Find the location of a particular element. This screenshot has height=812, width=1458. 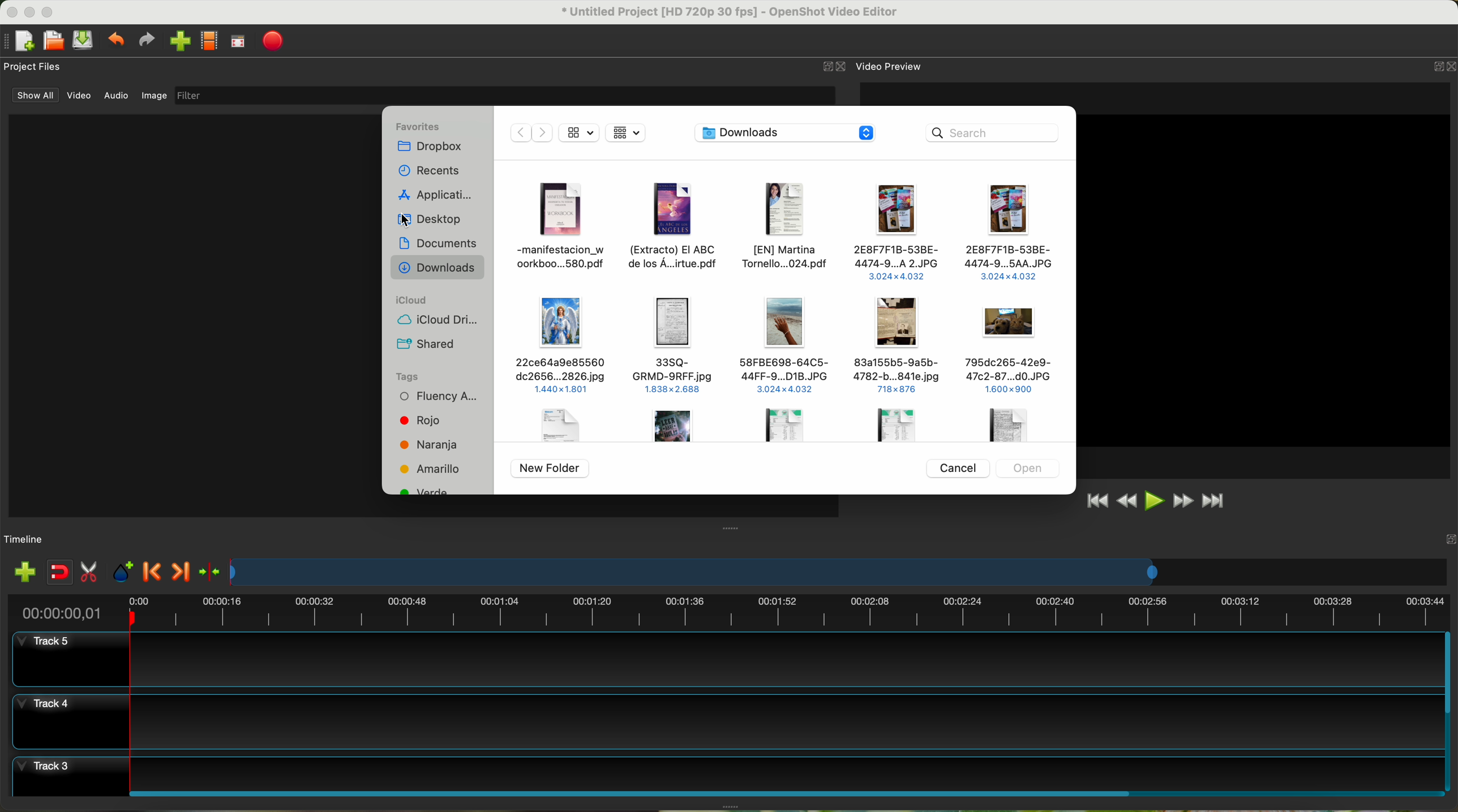

close is located at coordinates (1442, 68).